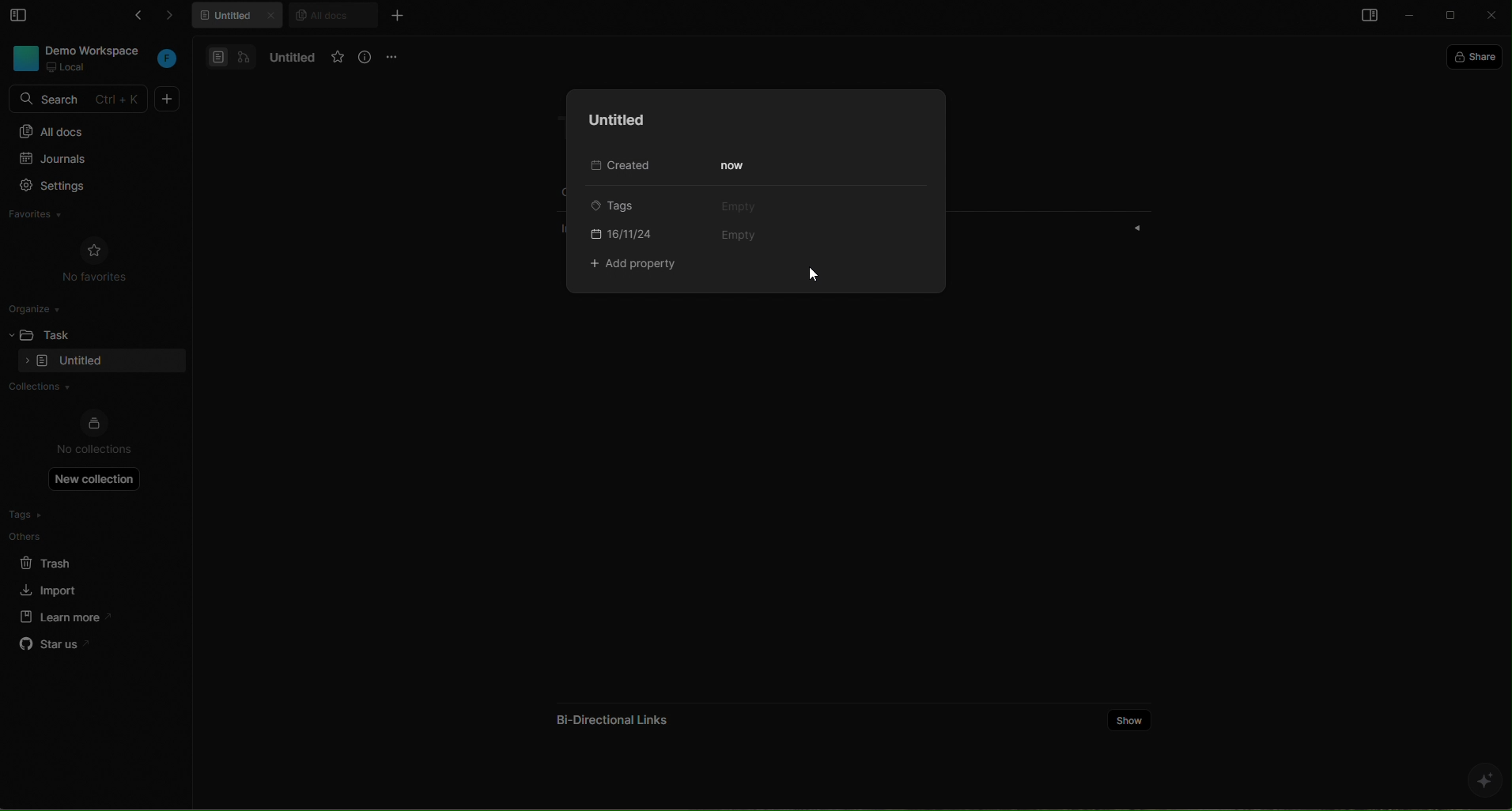  Describe the element at coordinates (1411, 17) in the screenshot. I see `minimize` at that location.